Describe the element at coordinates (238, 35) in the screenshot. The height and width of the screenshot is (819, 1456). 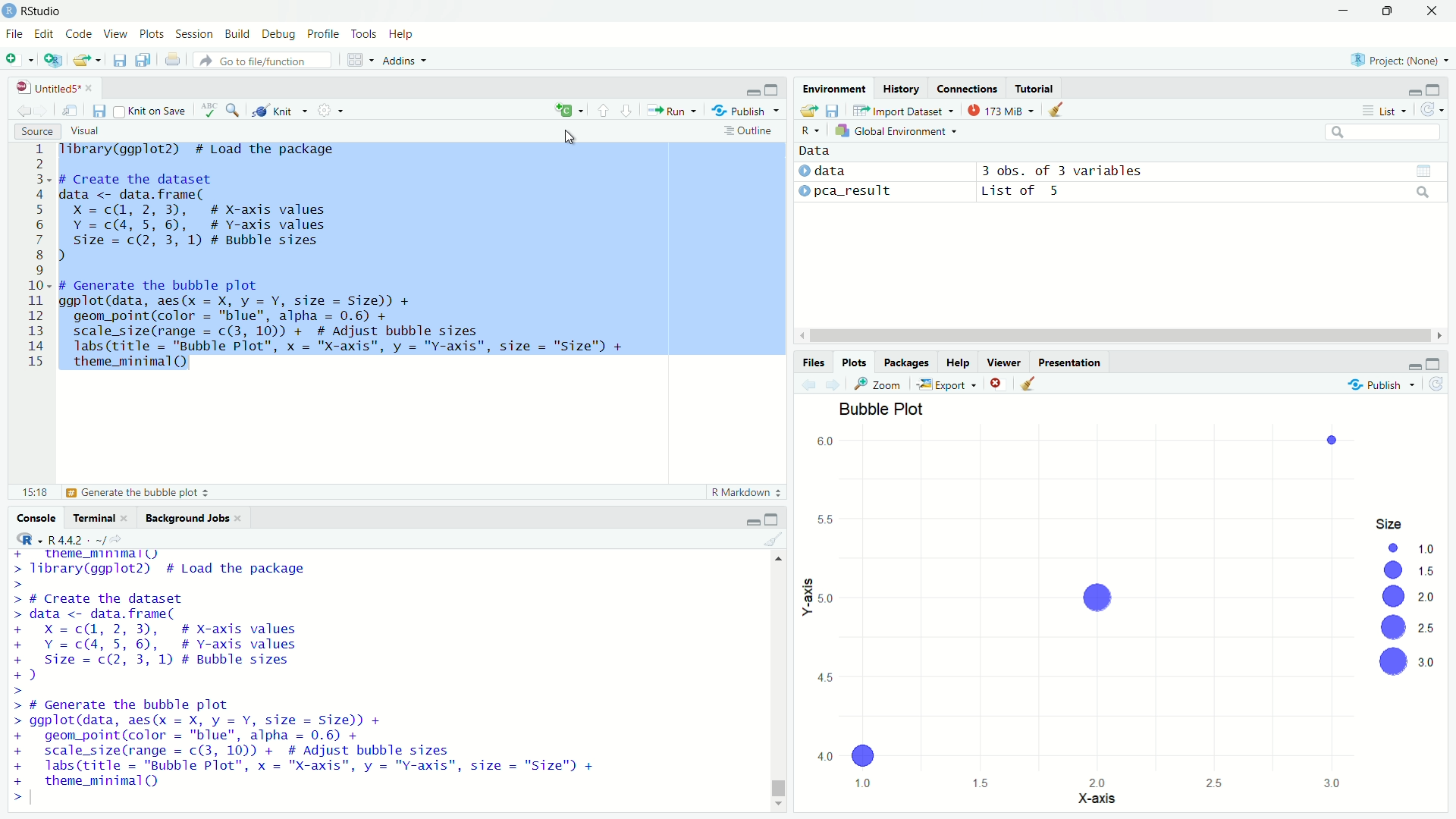
I see `build` at that location.